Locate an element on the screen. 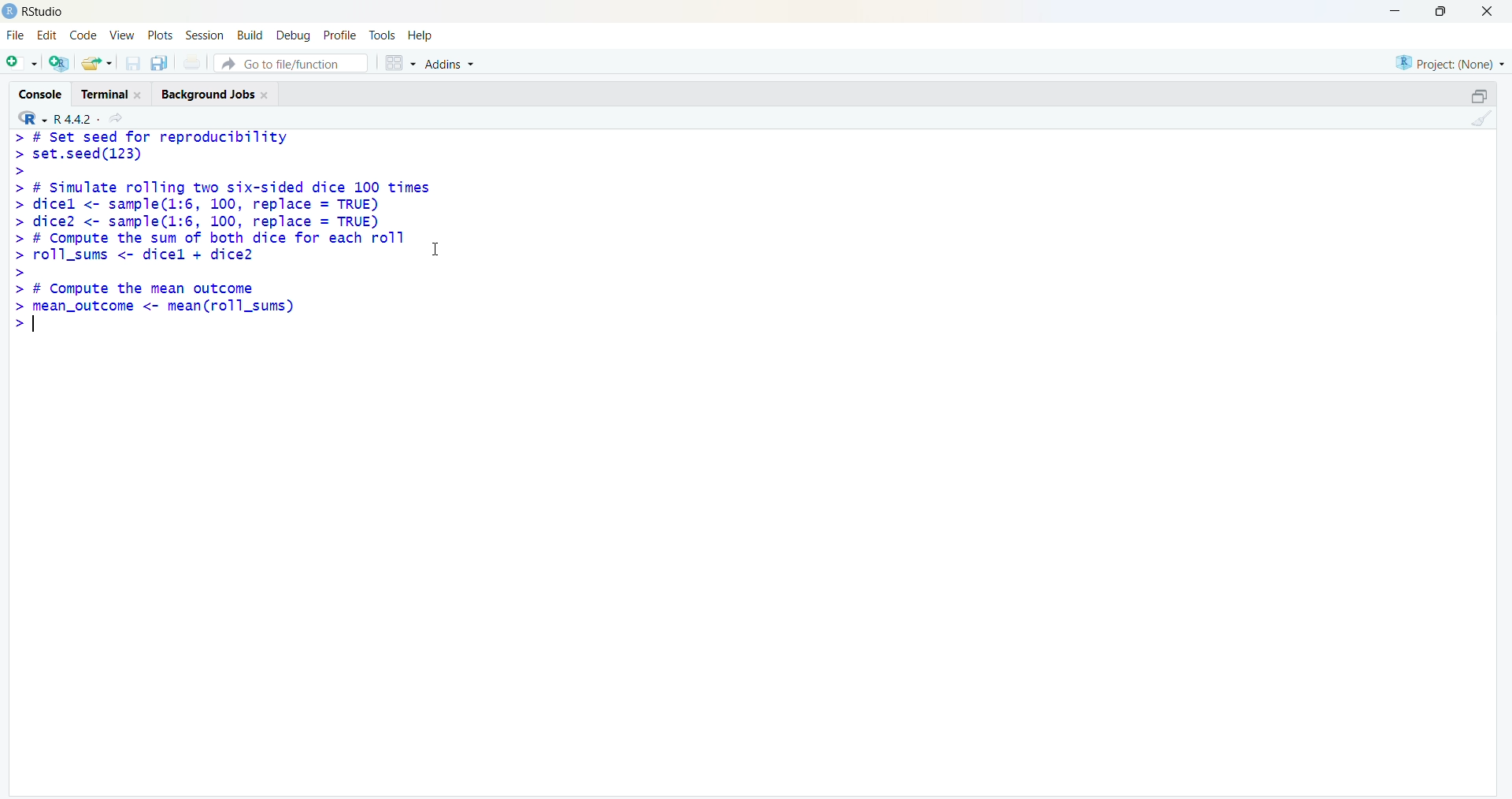  terminal is located at coordinates (104, 95).